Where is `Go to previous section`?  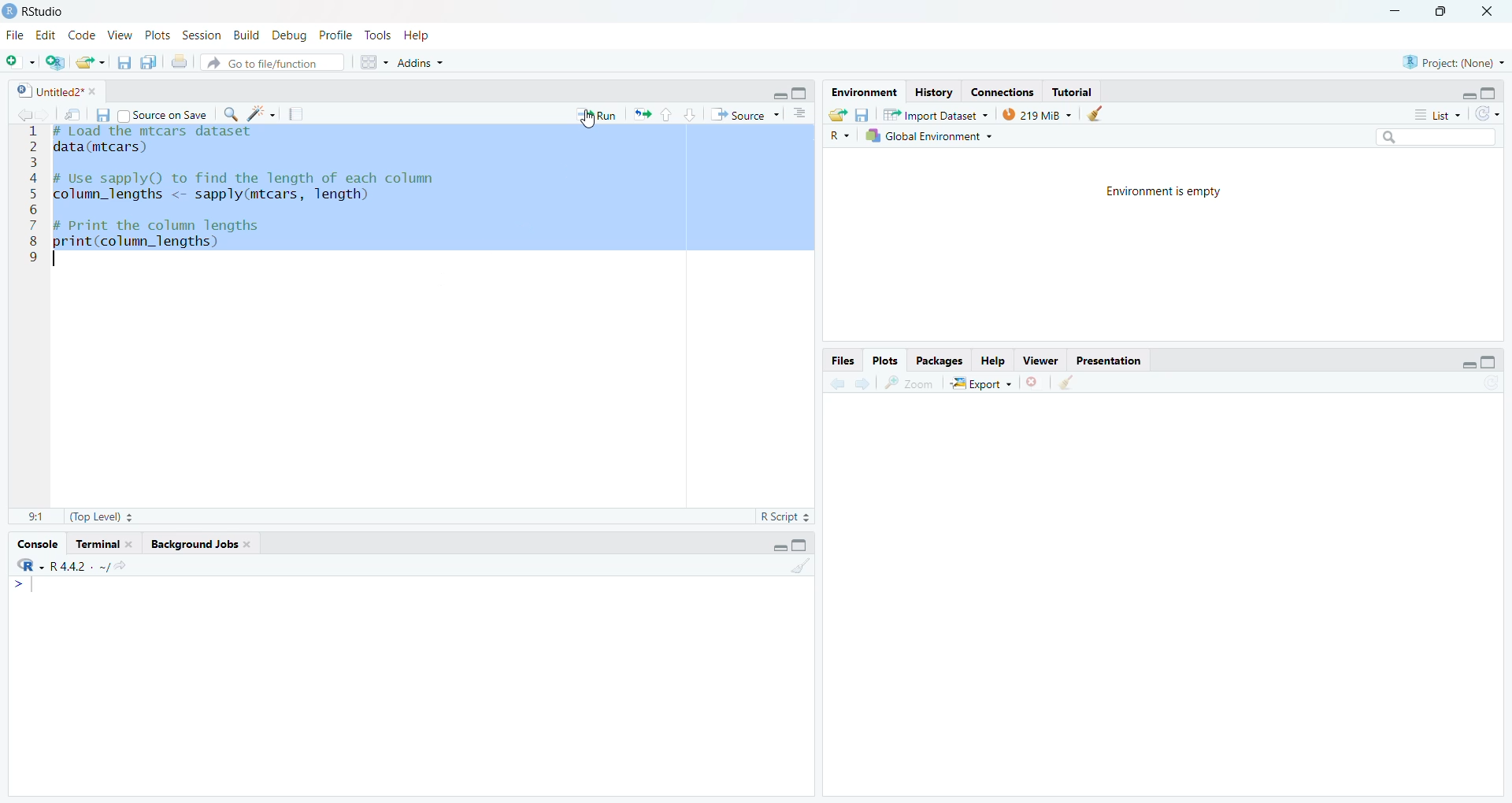 Go to previous section is located at coordinates (665, 114).